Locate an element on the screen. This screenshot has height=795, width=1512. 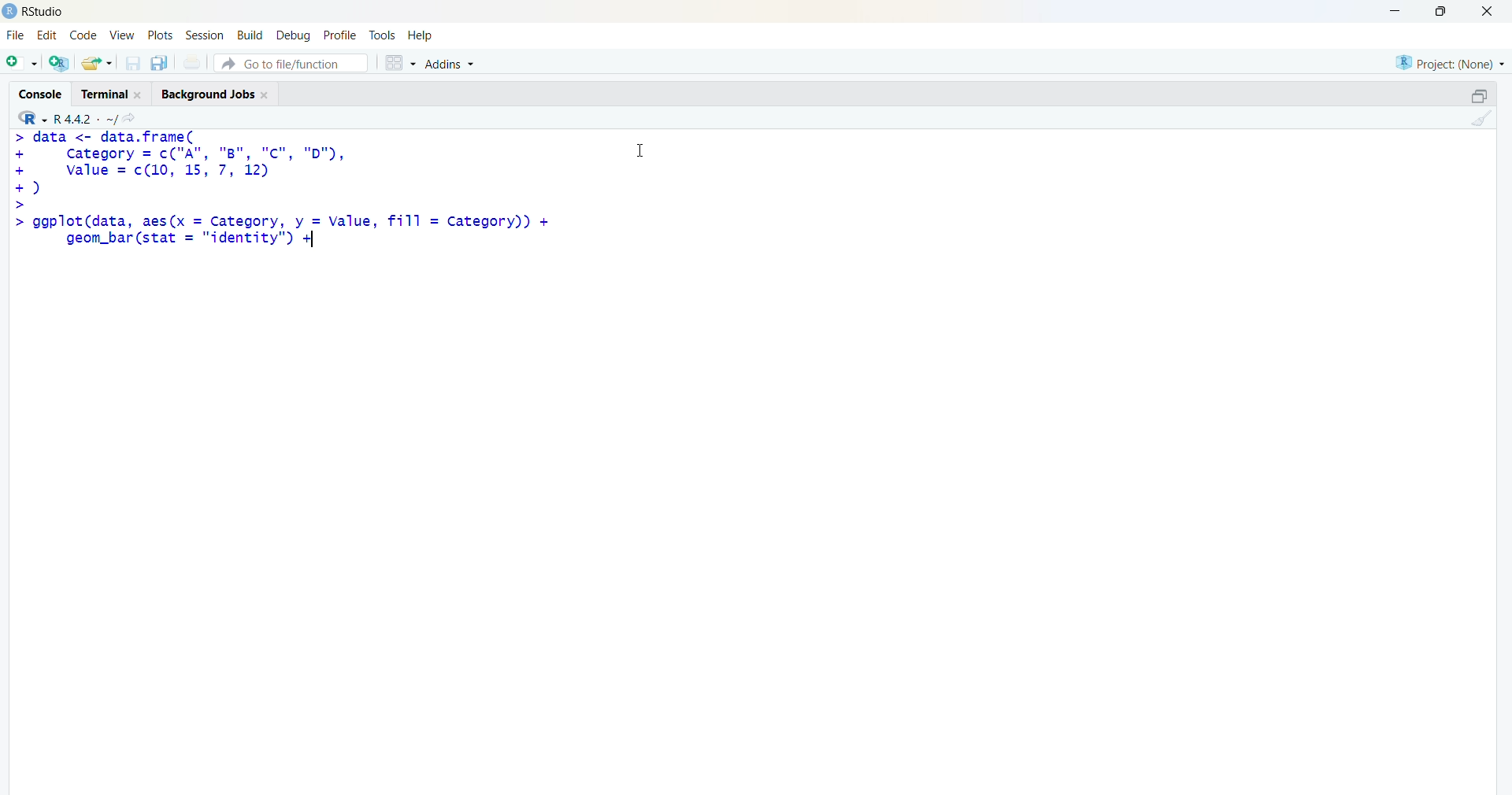
code is located at coordinates (83, 35).